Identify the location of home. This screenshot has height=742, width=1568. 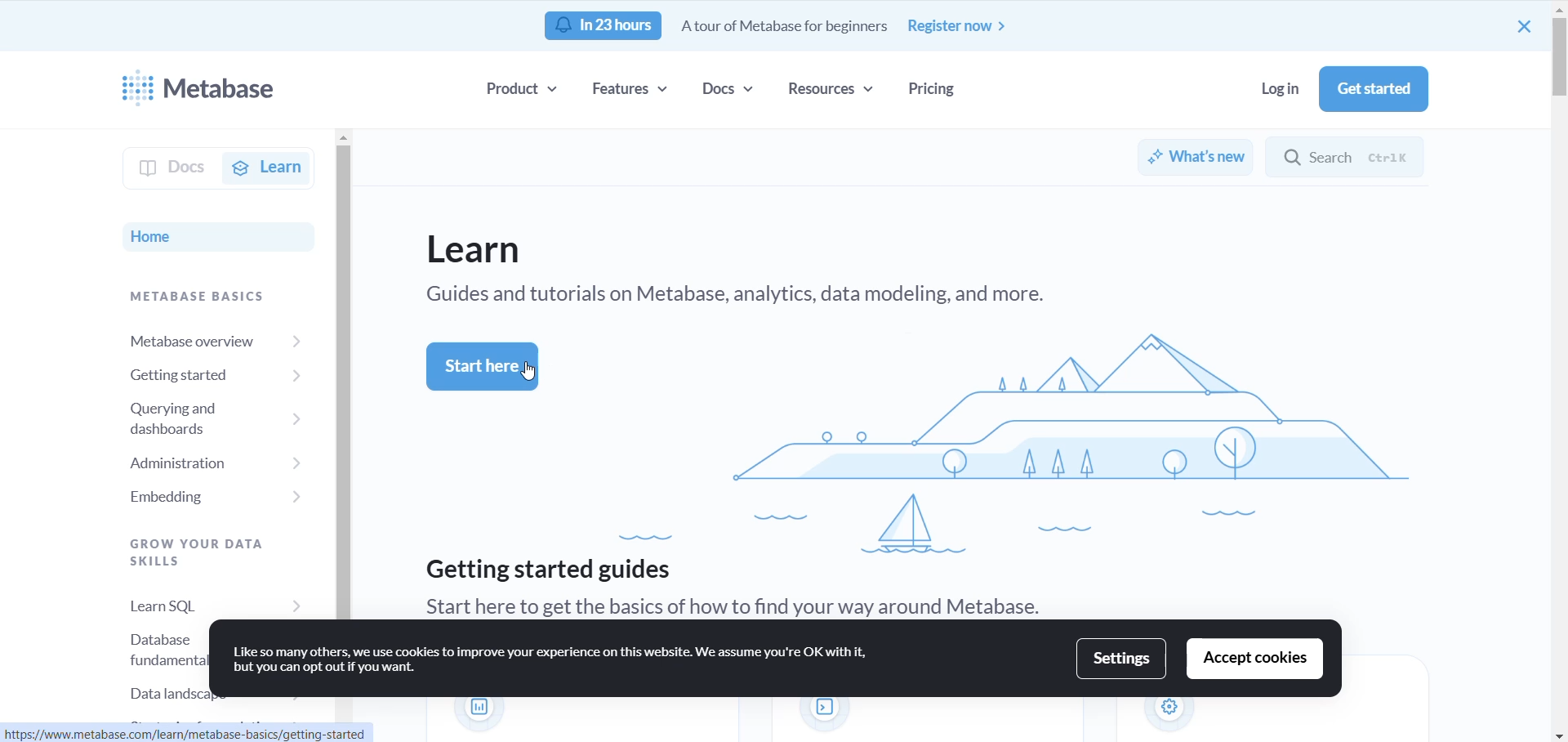
(156, 235).